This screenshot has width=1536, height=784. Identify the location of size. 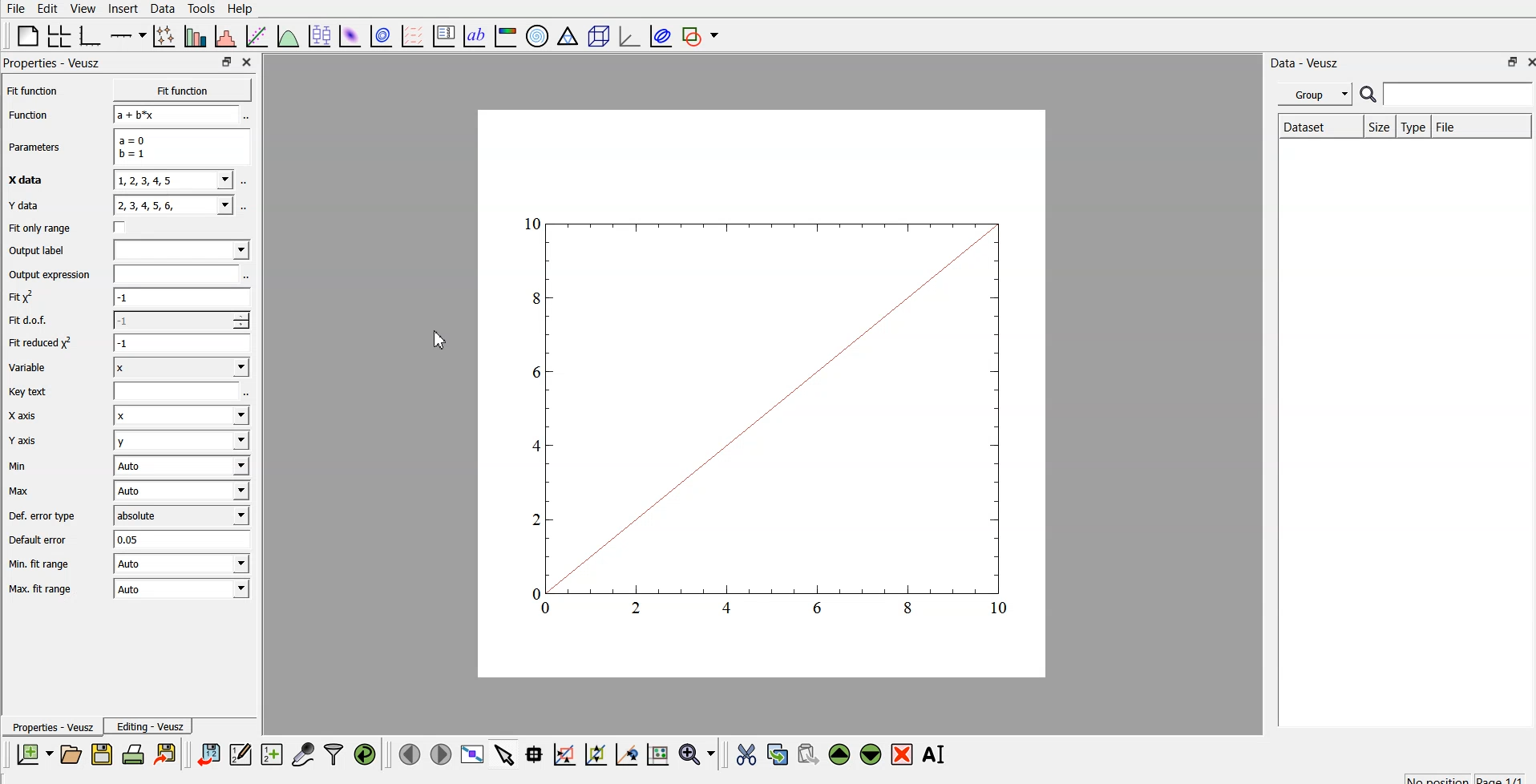
(1378, 126).